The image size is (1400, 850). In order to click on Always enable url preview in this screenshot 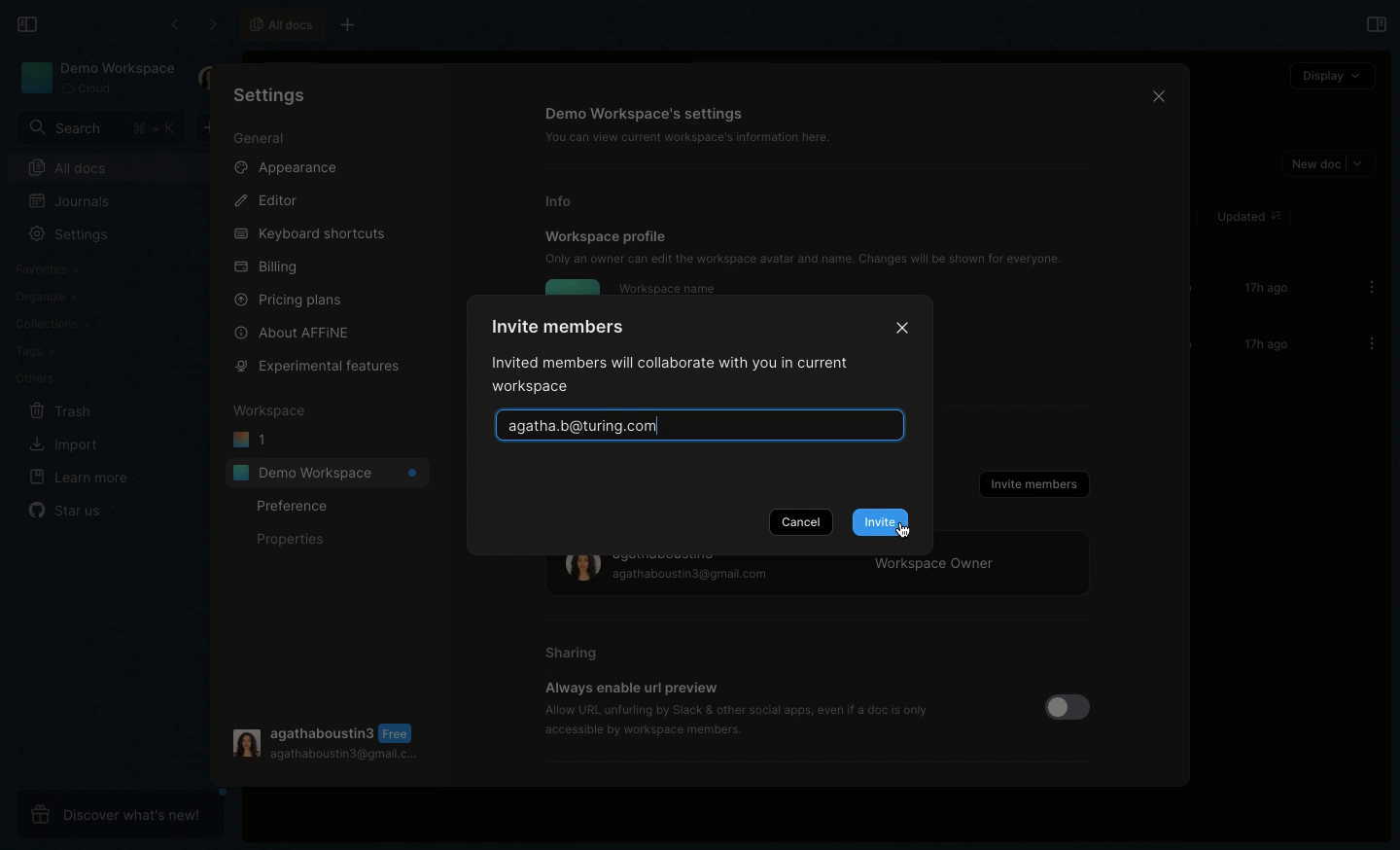, I will do `click(631, 688)`.